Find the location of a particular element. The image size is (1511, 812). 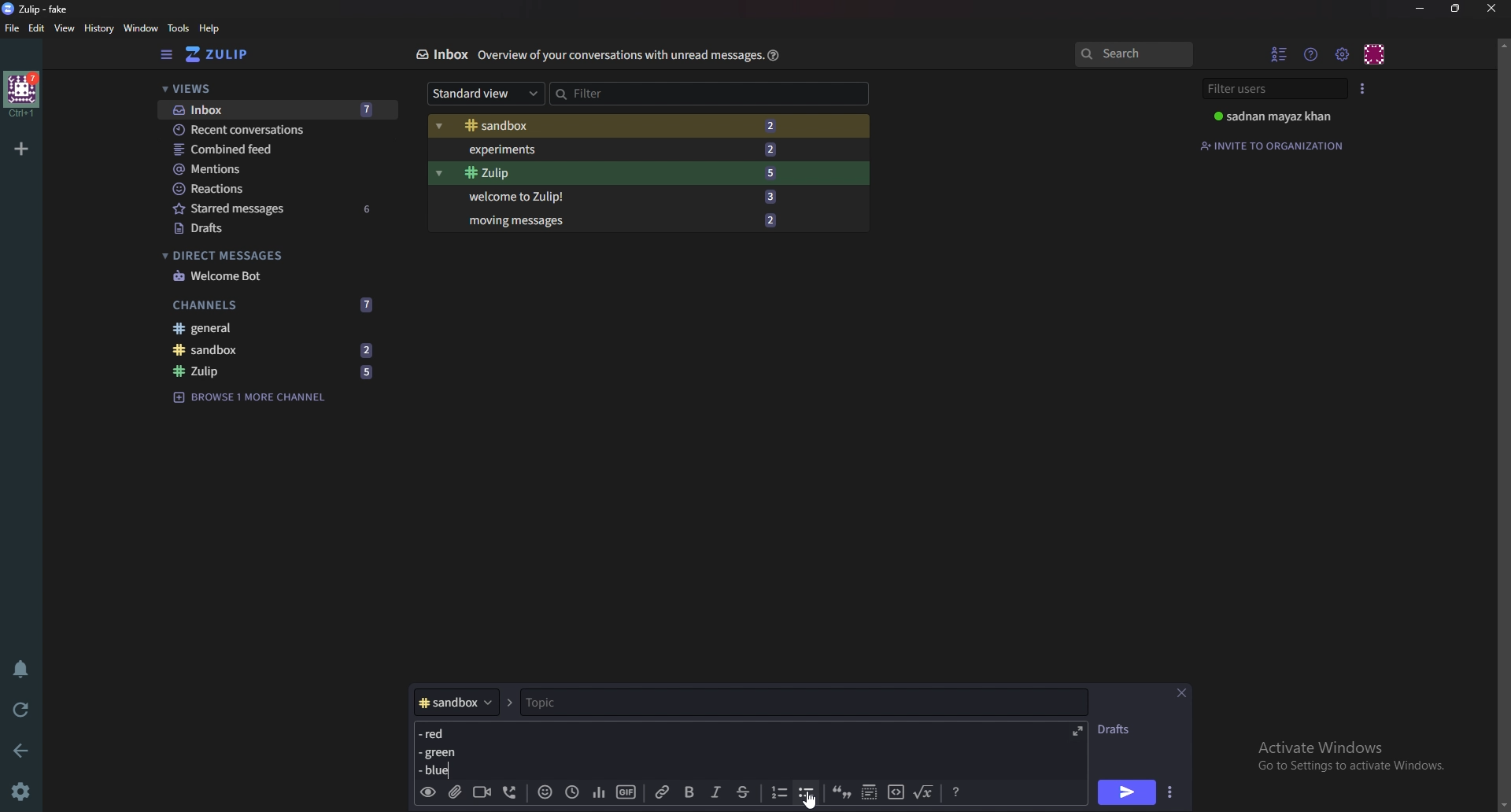

bold is located at coordinates (692, 793).